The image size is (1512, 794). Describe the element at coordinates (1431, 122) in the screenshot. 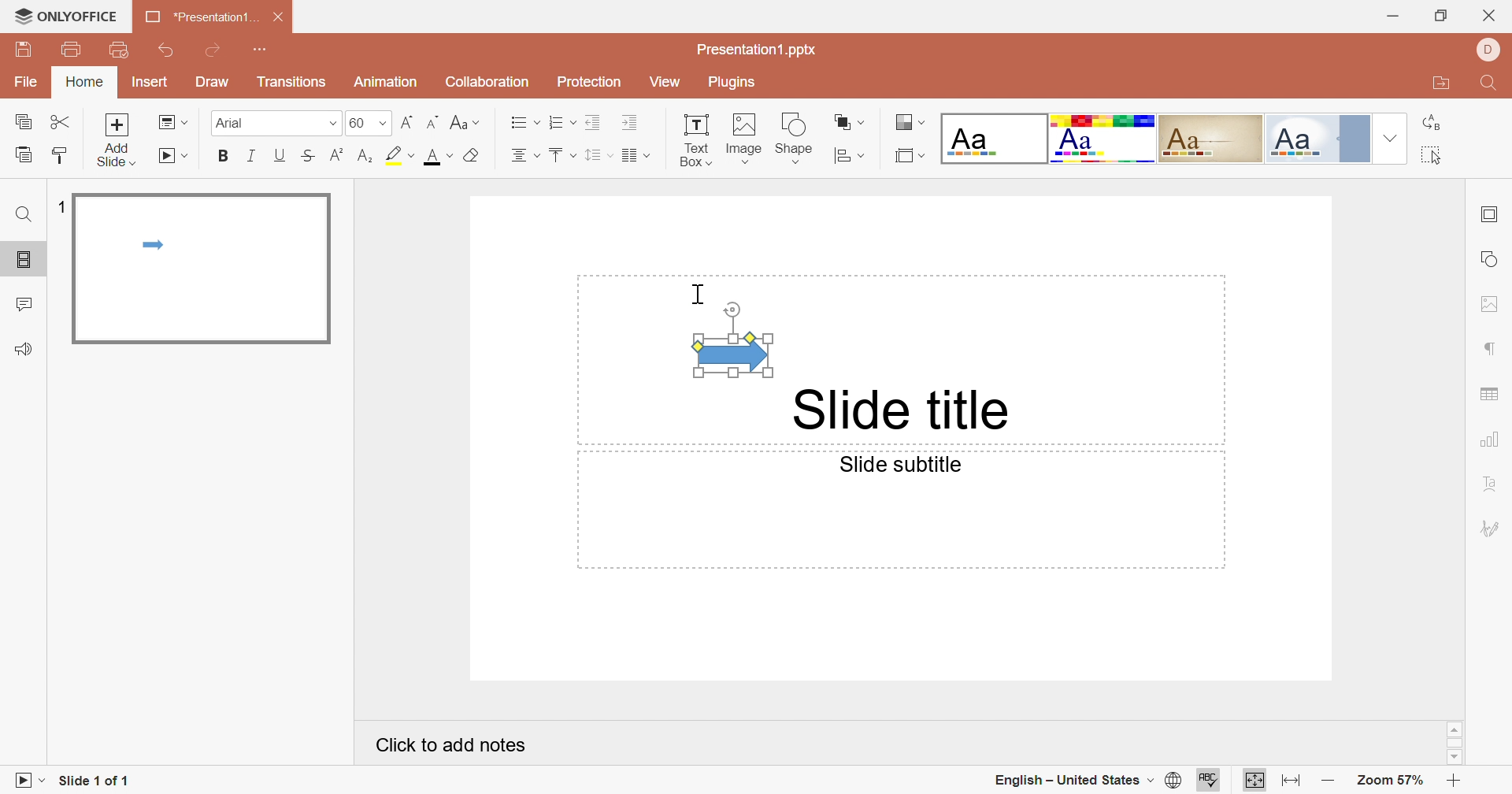

I see `Replace` at that location.